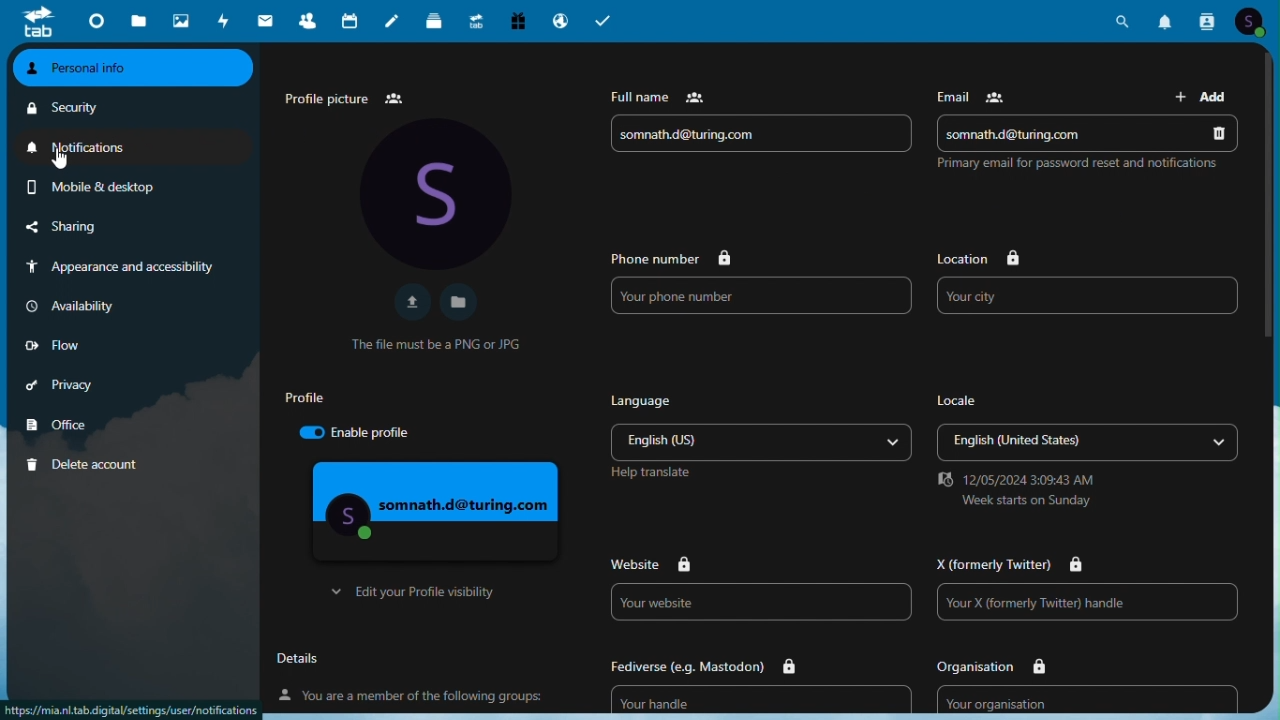 The height and width of the screenshot is (720, 1280). I want to click on Low, so click(70, 342).